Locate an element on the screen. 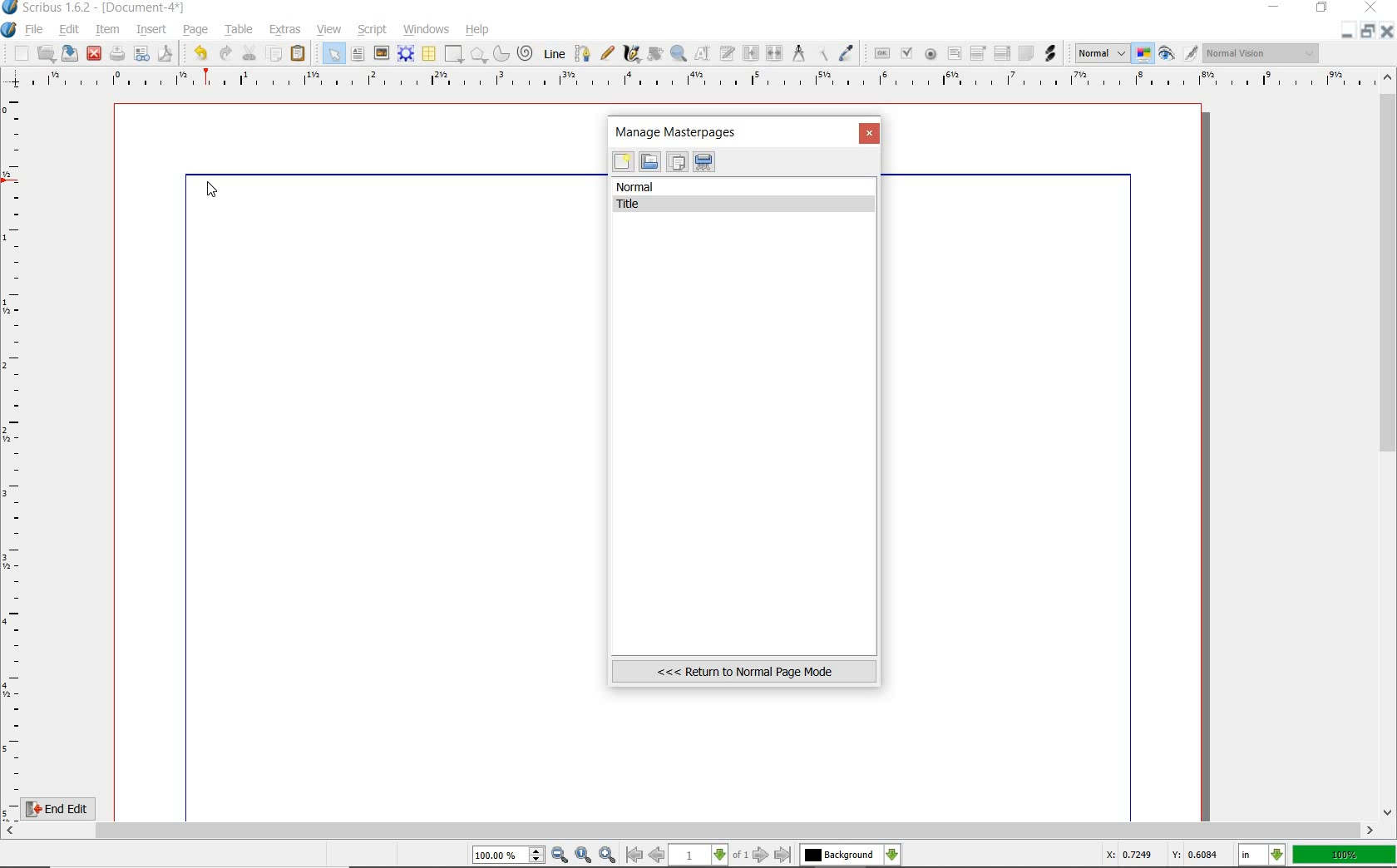  save is located at coordinates (71, 53).